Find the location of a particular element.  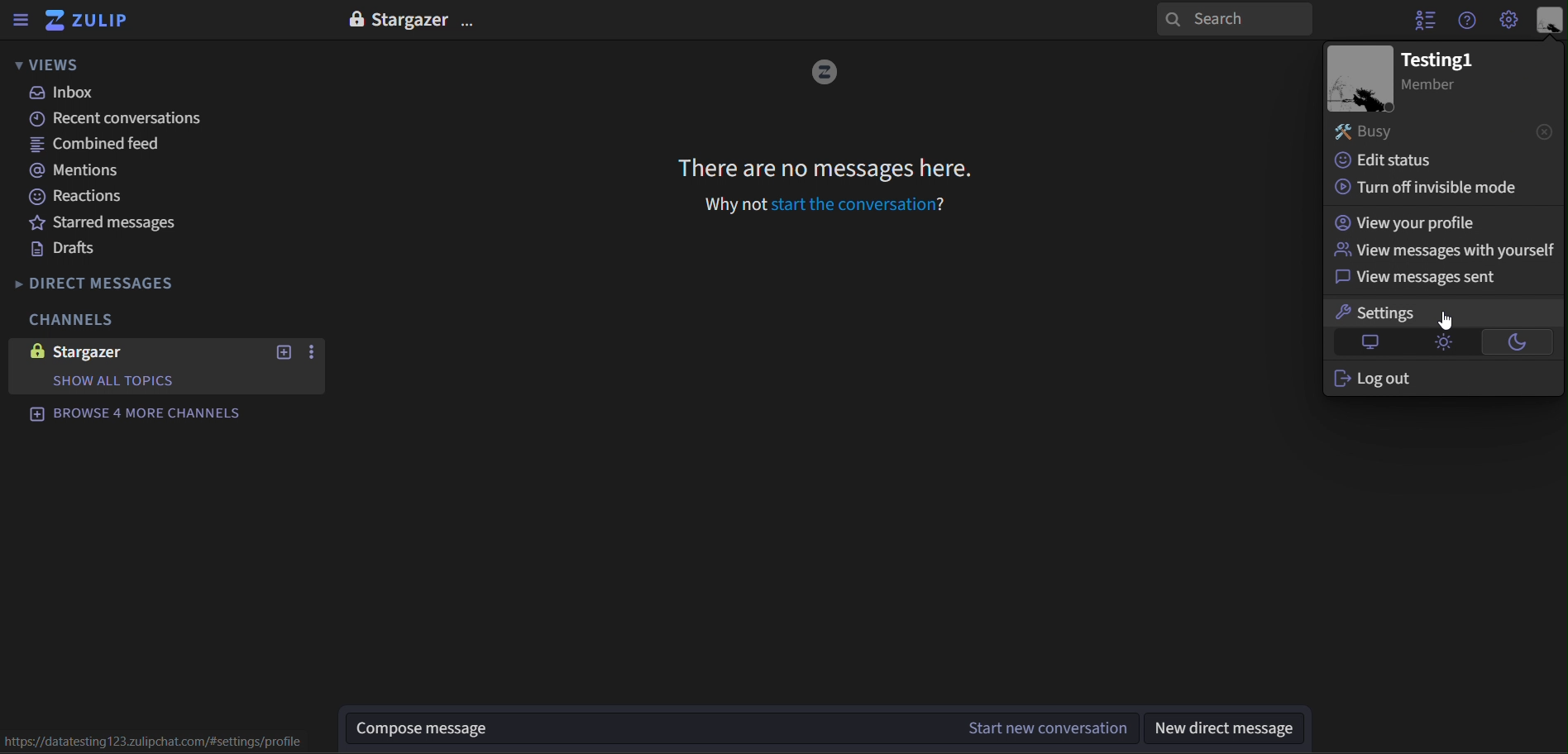

https://datatesting123.zulipchat.com/#settings/profile is located at coordinates (162, 741).